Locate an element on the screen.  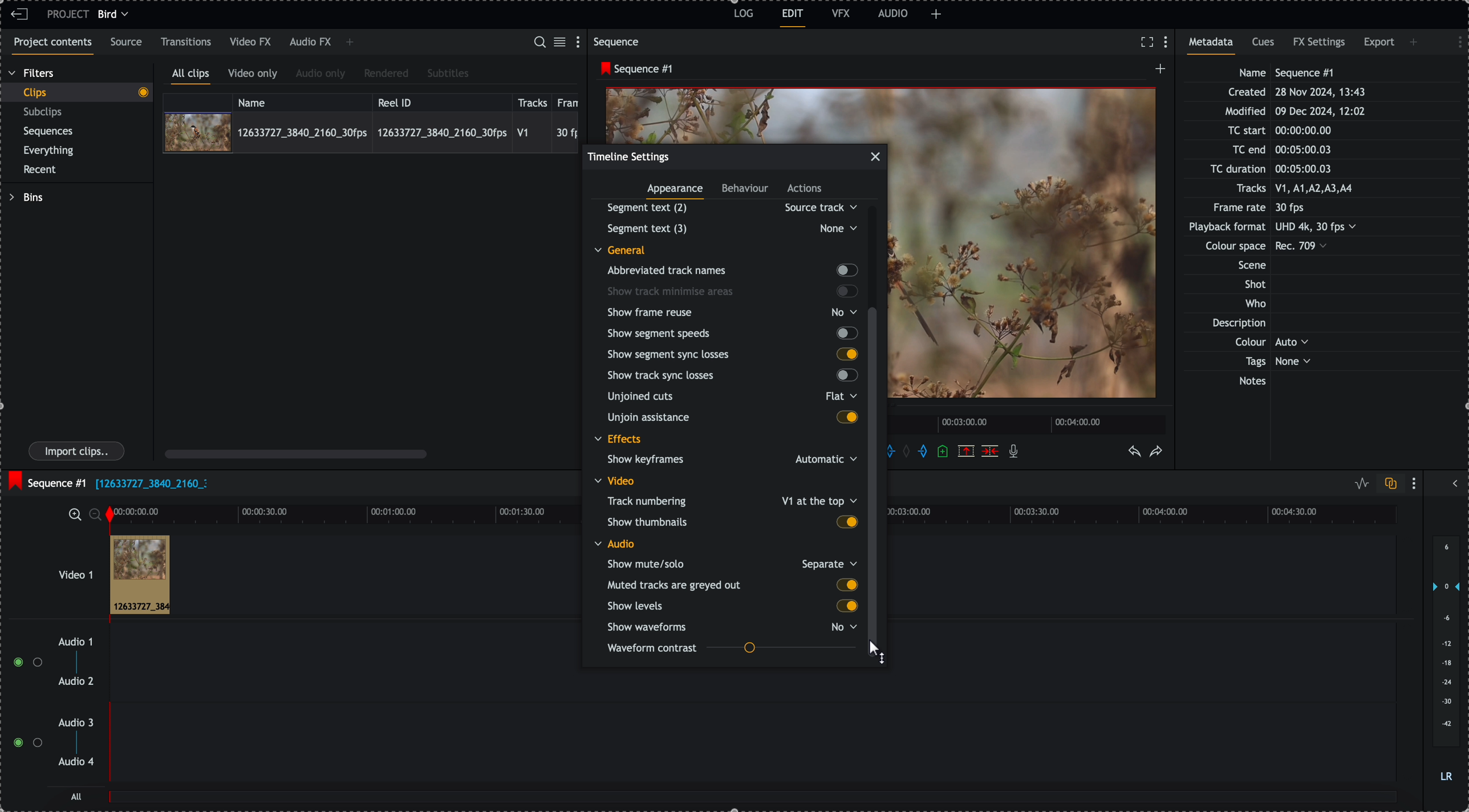
abbreviated track names is located at coordinates (731, 271).